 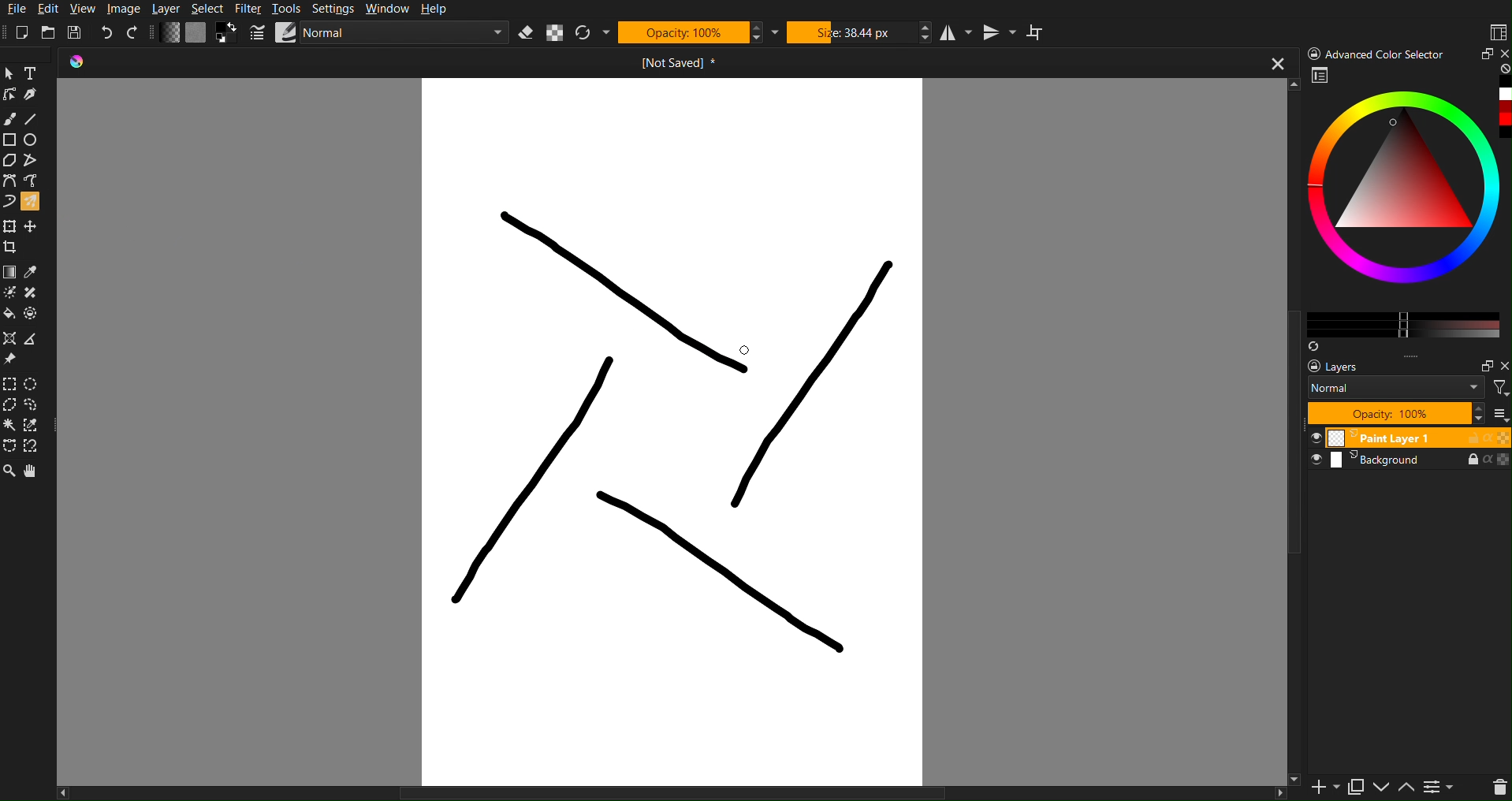 What do you see at coordinates (35, 72) in the screenshot?
I see `Text` at bounding box center [35, 72].